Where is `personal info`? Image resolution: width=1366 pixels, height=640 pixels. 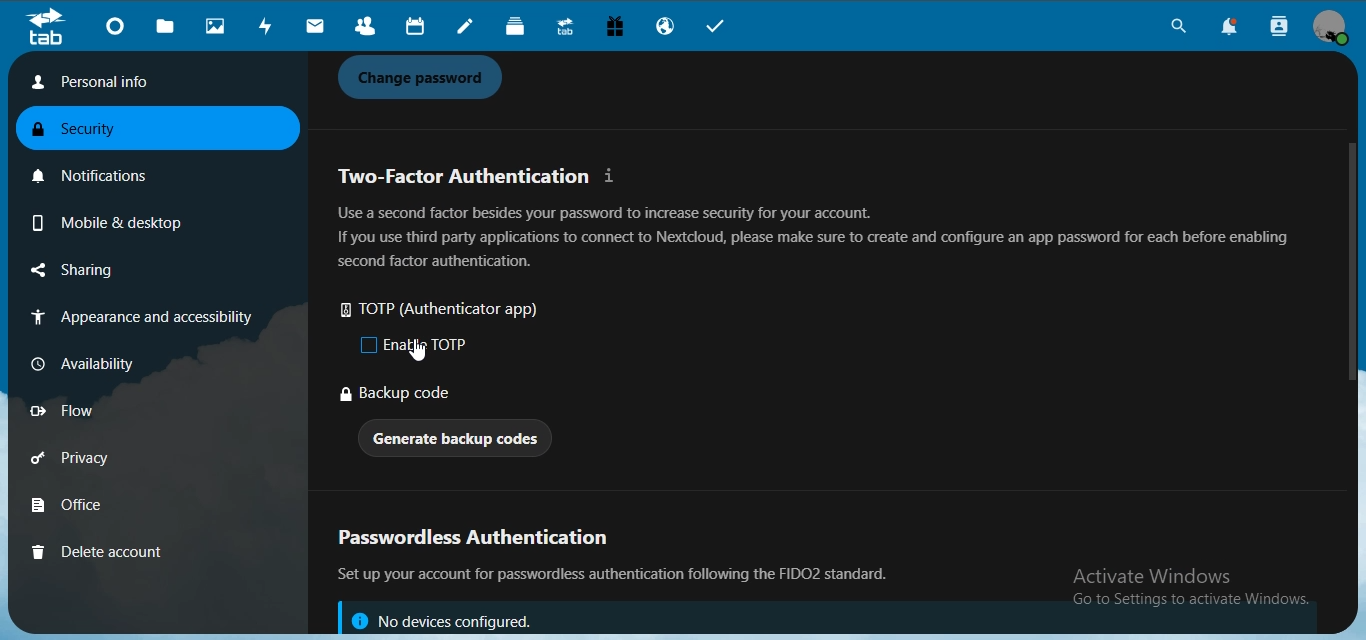 personal info is located at coordinates (149, 82).